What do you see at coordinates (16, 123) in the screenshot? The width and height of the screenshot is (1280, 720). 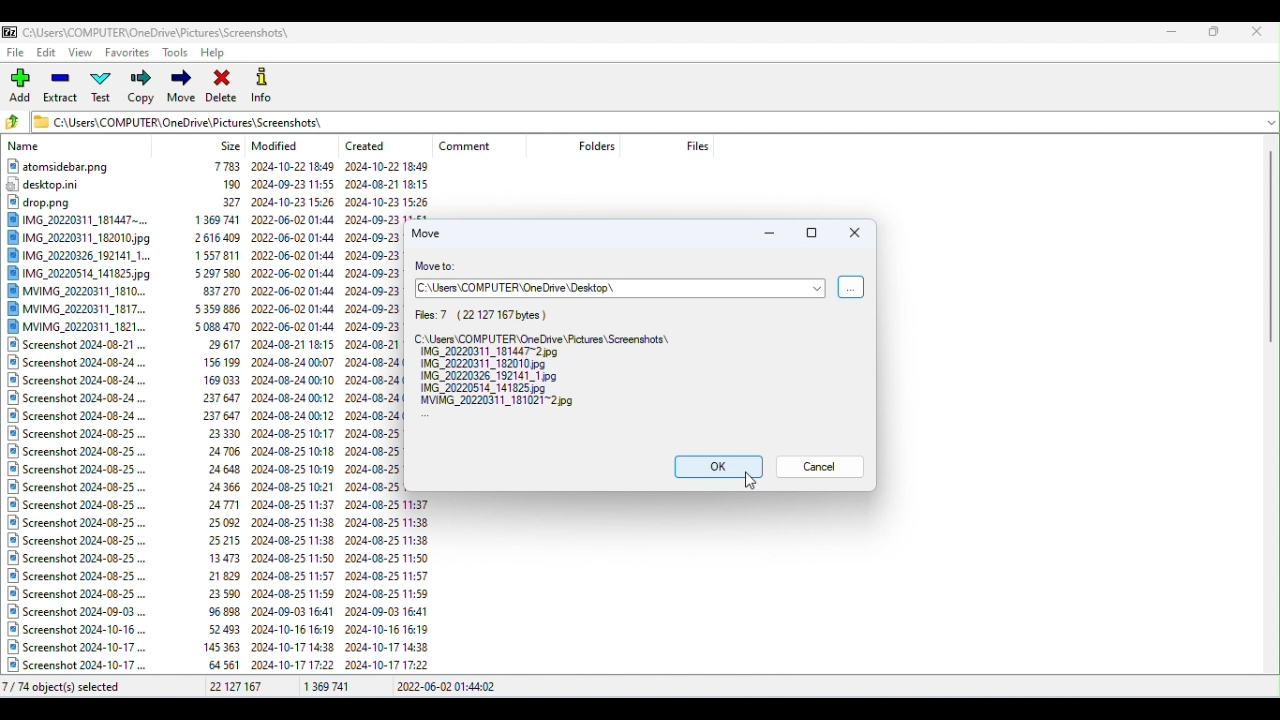 I see `Go back` at bounding box center [16, 123].